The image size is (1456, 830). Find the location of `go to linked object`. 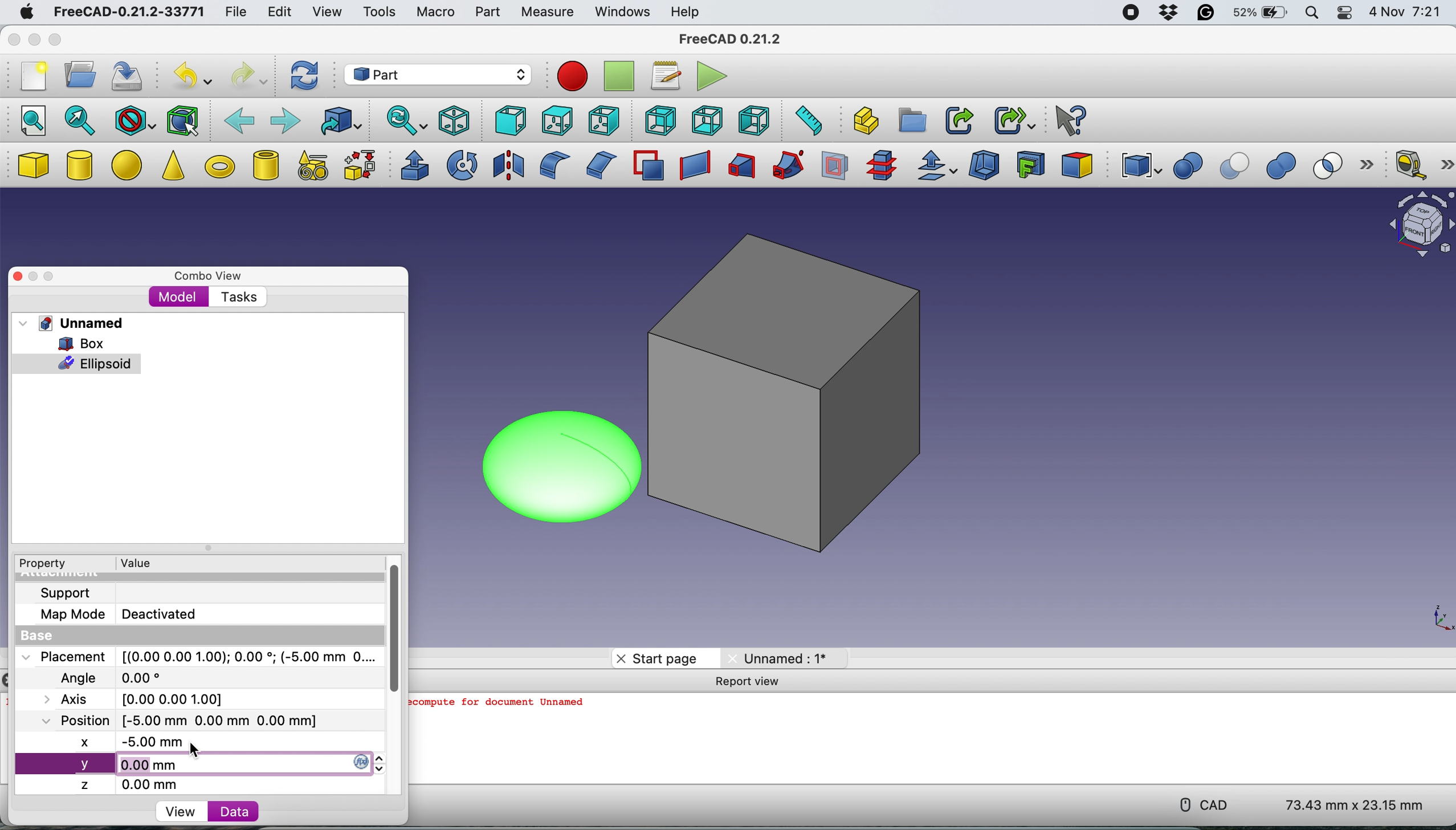

go to linked object is located at coordinates (340, 121).